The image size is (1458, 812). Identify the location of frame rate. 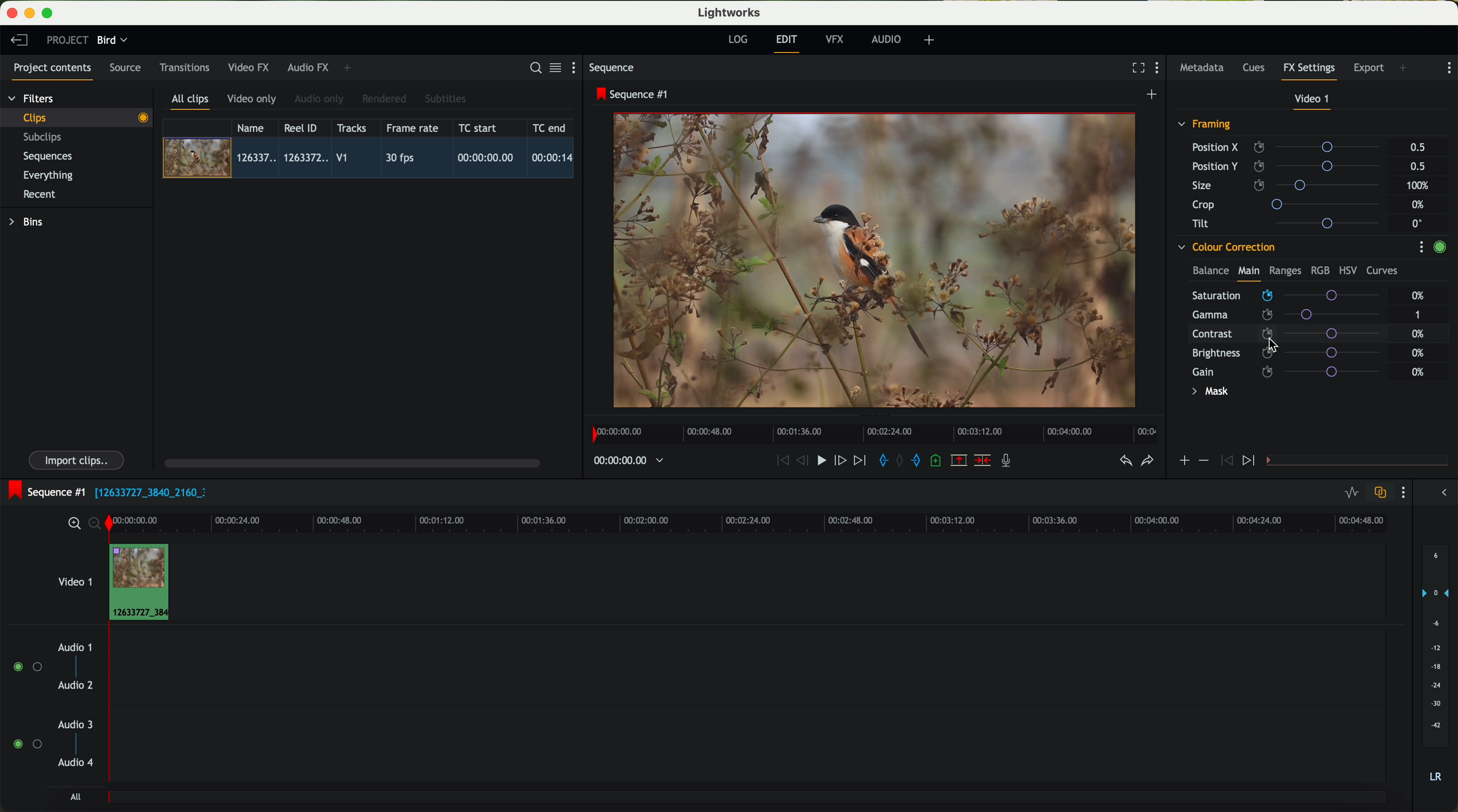
(413, 128).